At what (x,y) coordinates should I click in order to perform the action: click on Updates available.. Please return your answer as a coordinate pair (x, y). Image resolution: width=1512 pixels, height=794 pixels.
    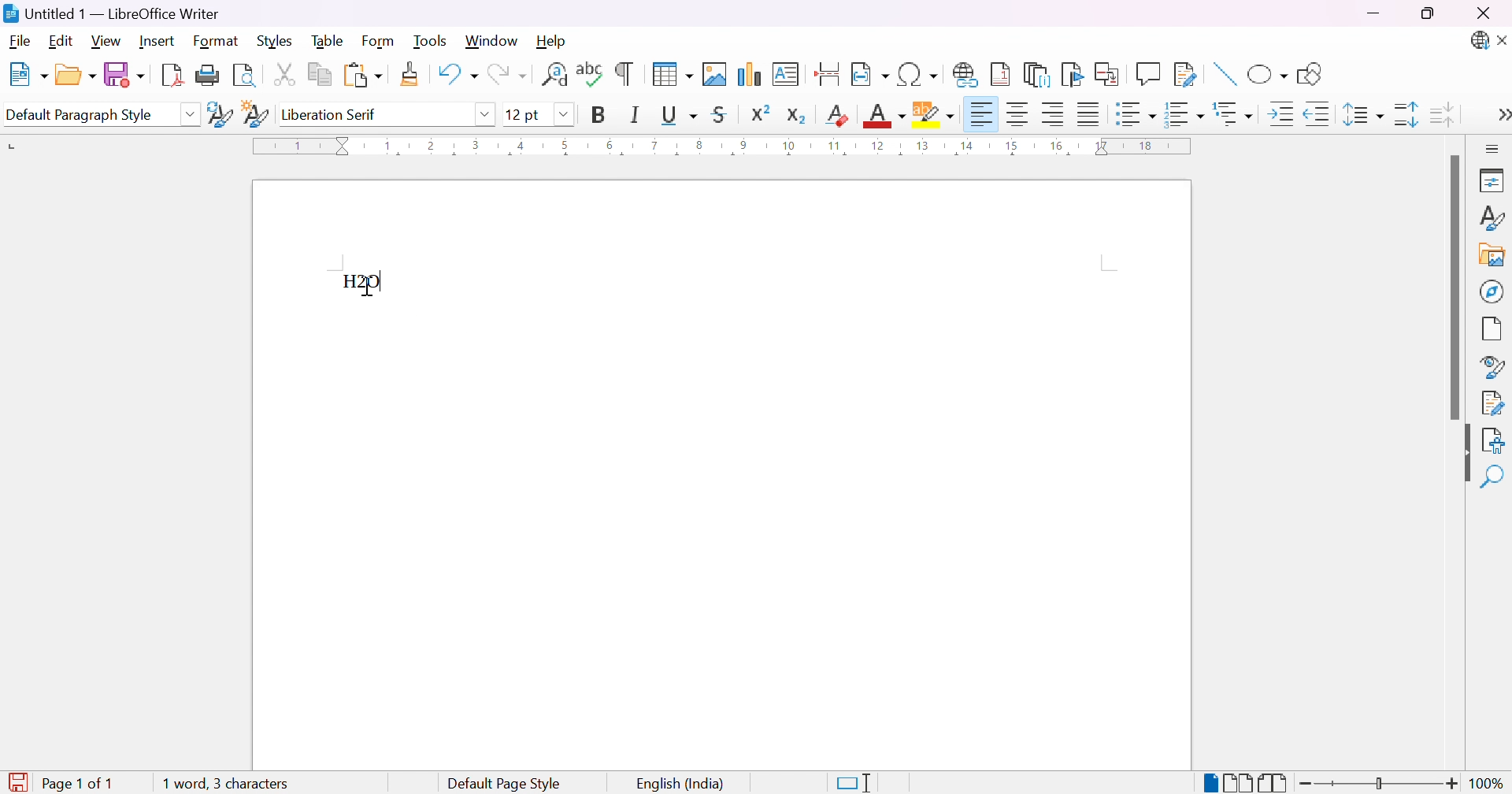
    Looking at the image, I should click on (1478, 41).